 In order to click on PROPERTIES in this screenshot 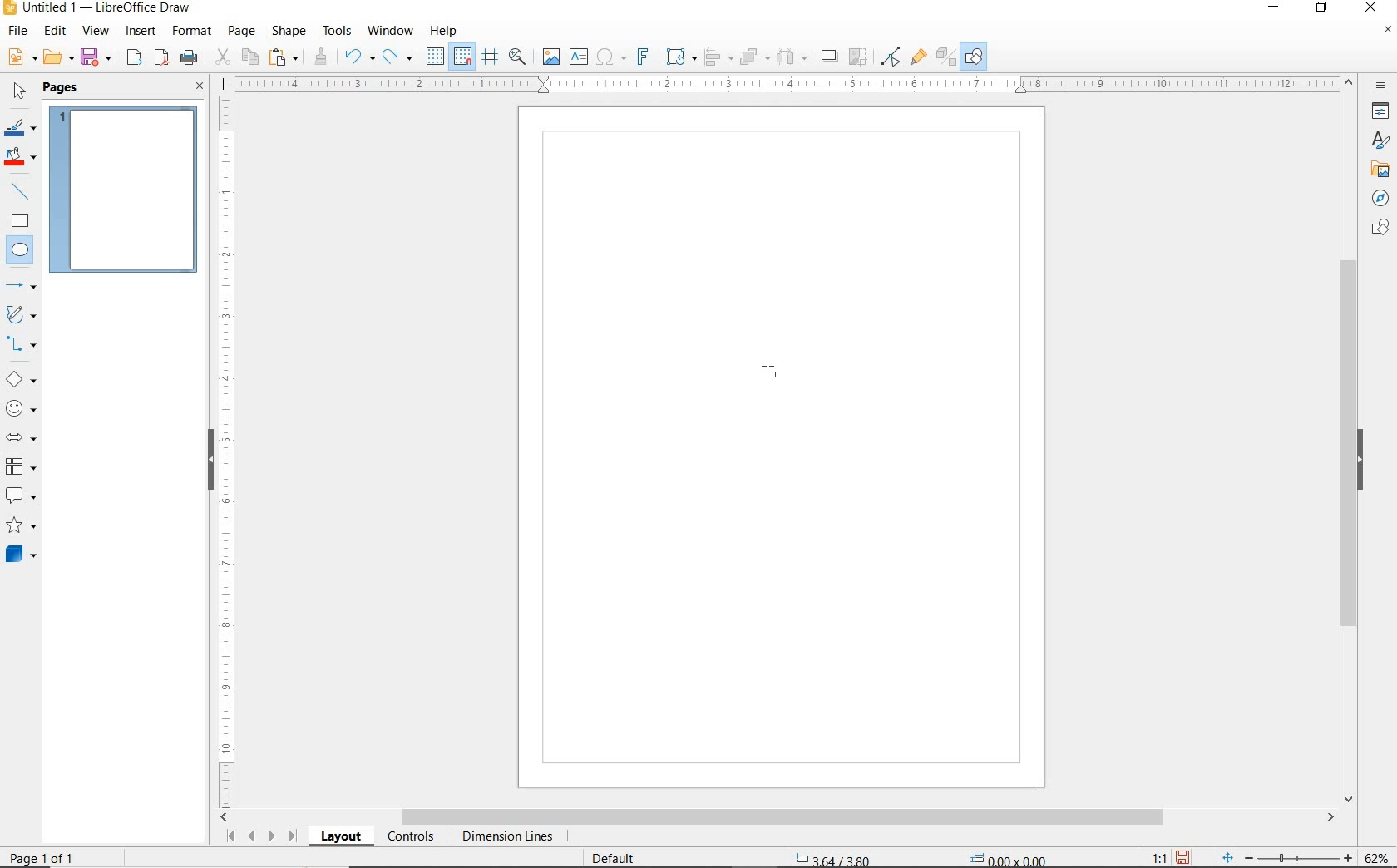, I will do `click(1383, 114)`.